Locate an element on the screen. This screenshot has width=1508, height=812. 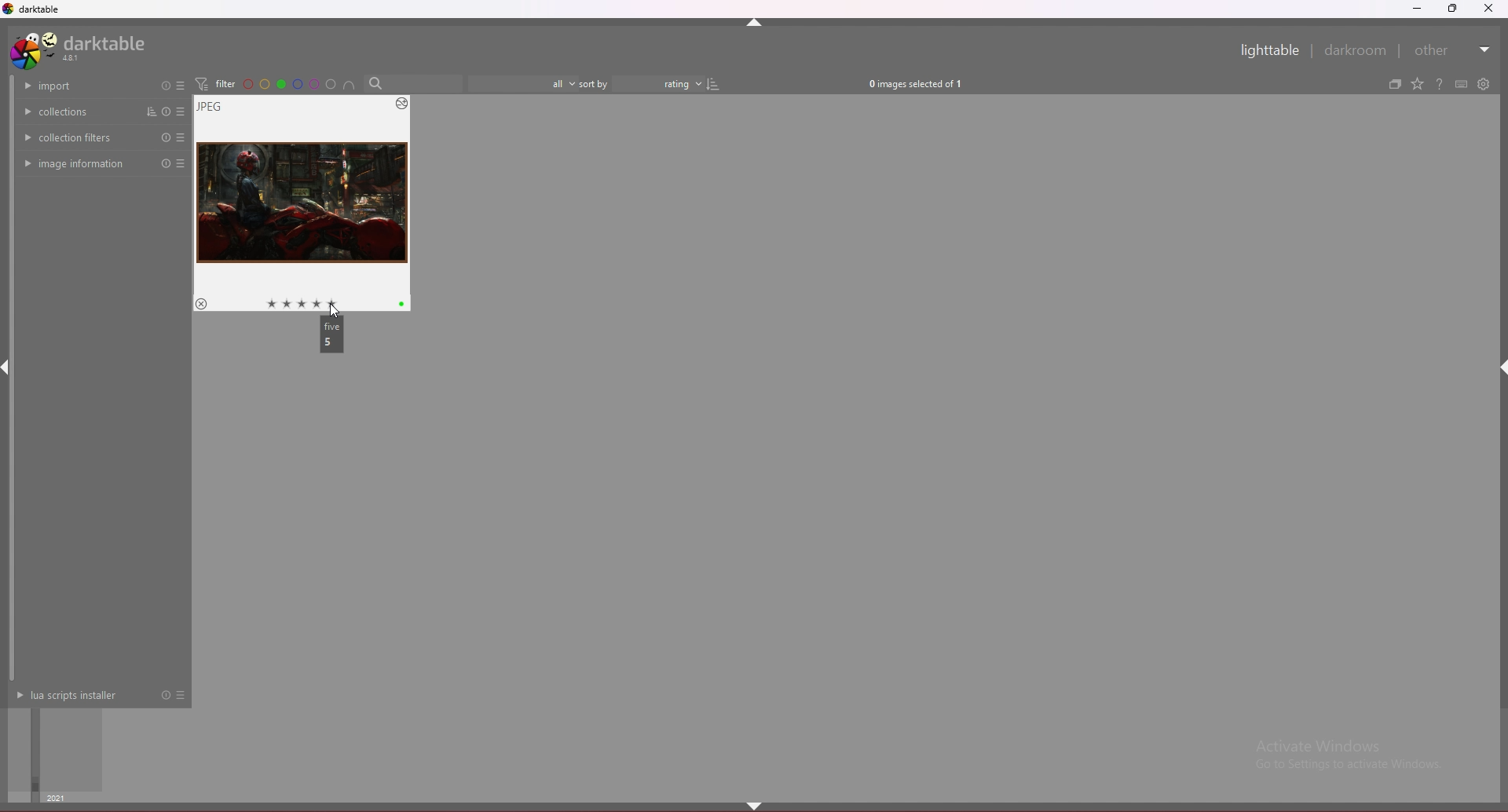
darktable is located at coordinates (34, 9).